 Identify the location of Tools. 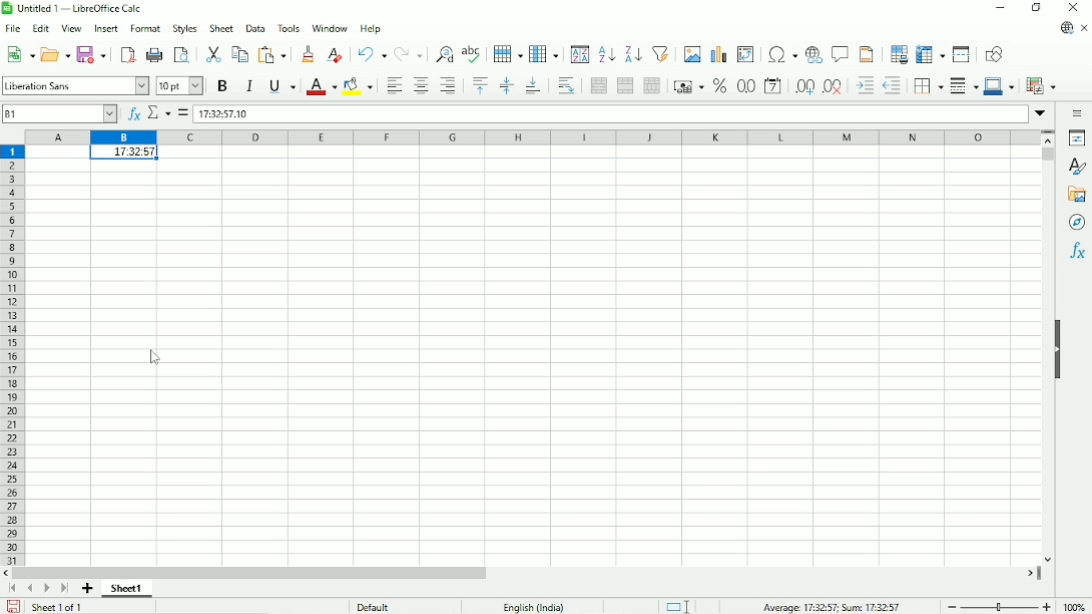
(287, 28).